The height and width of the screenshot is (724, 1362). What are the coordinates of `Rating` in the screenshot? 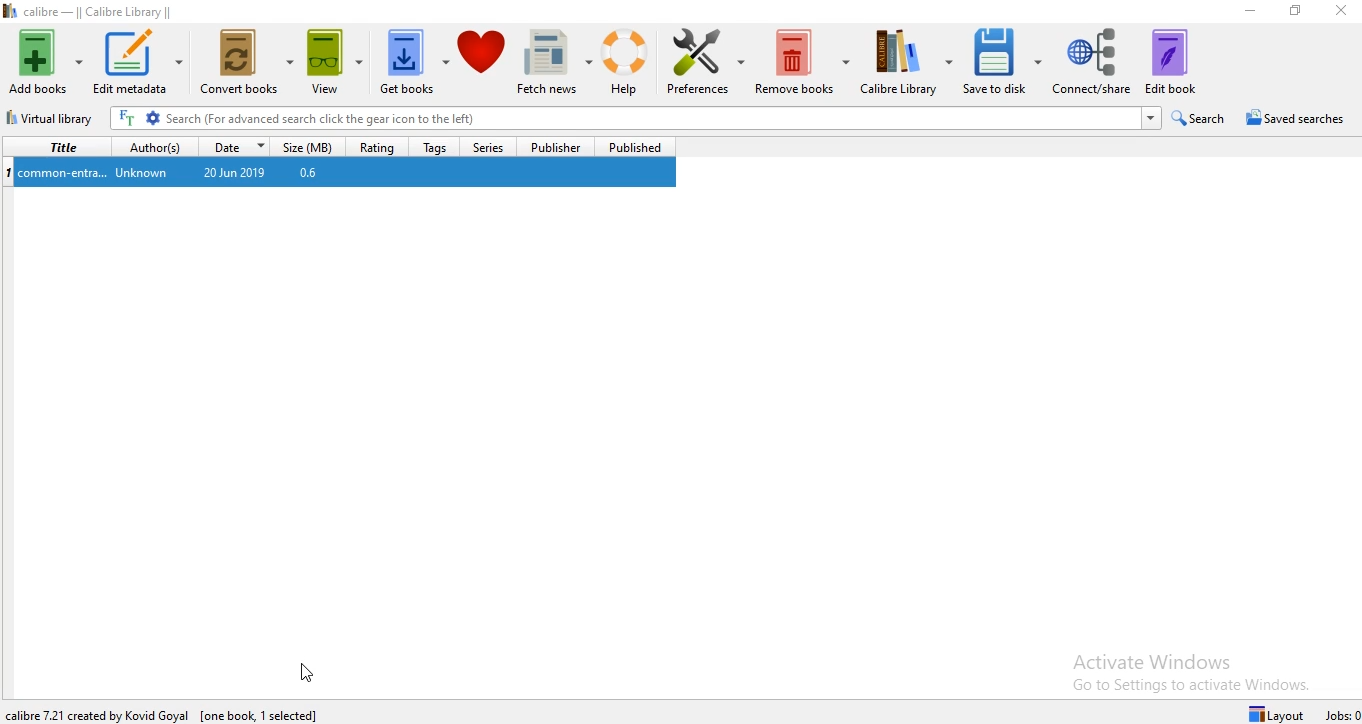 It's located at (380, 146).